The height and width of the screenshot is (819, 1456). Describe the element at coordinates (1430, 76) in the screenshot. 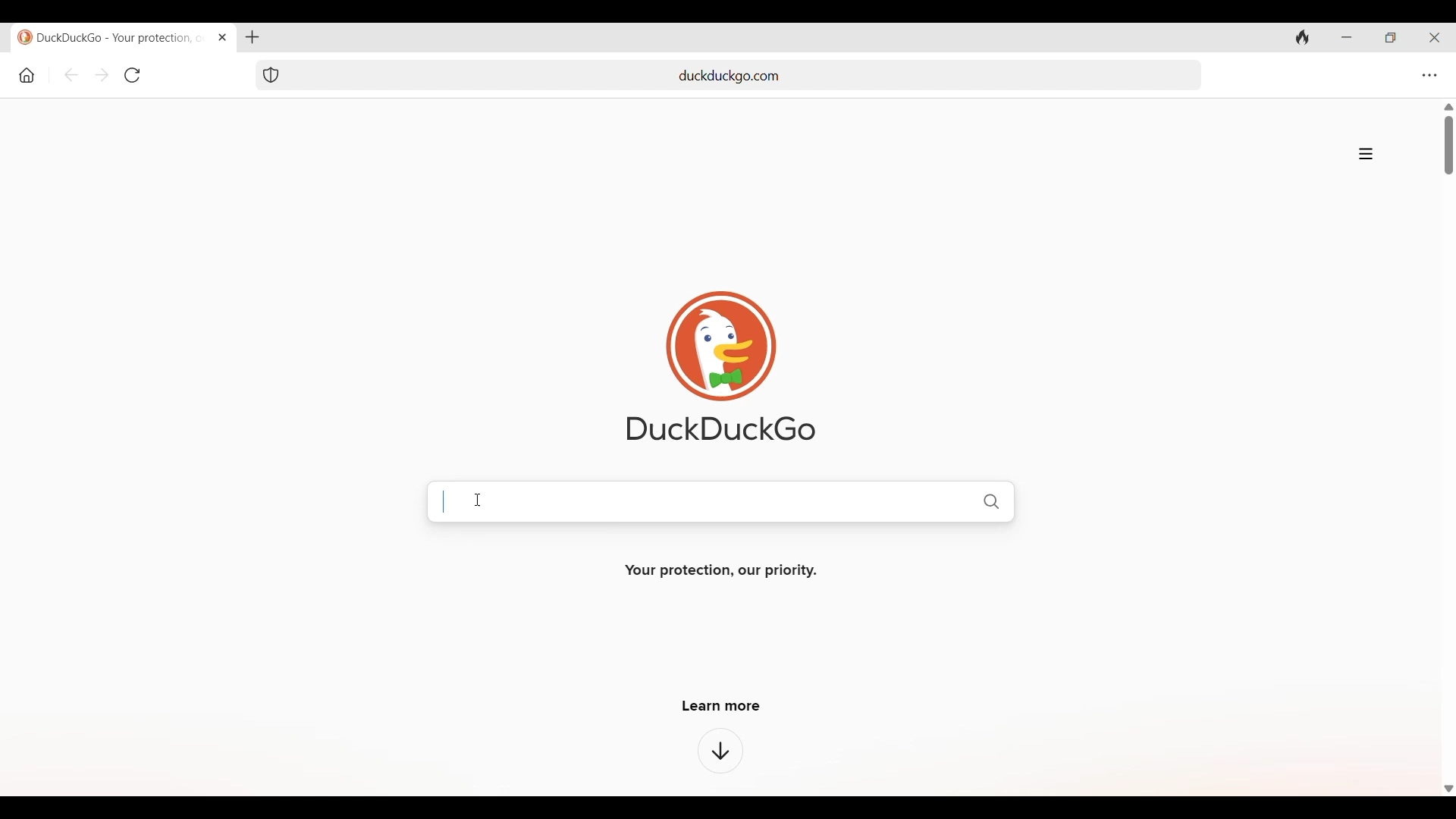

I see `More setting options` at that location.